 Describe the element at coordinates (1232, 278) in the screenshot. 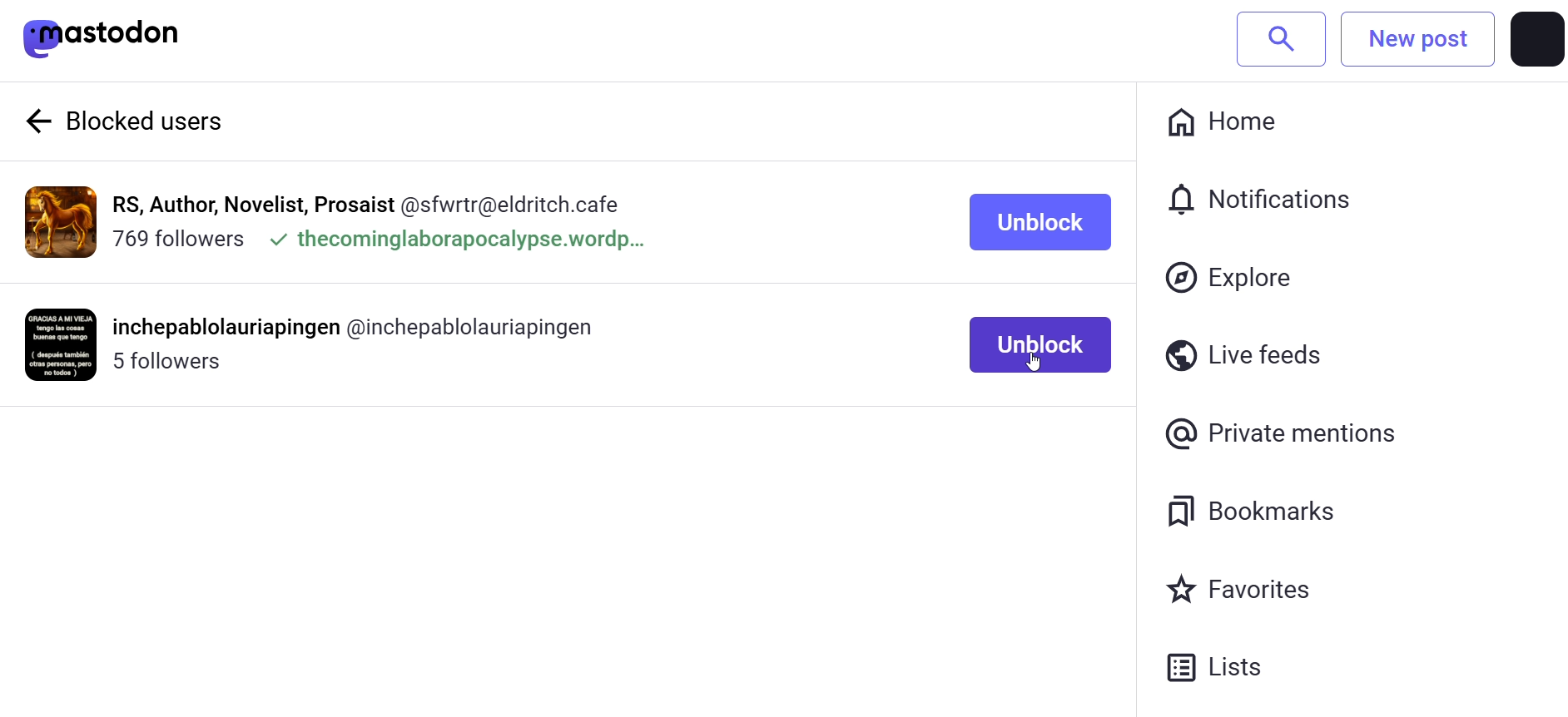

I see `explore` at that location.